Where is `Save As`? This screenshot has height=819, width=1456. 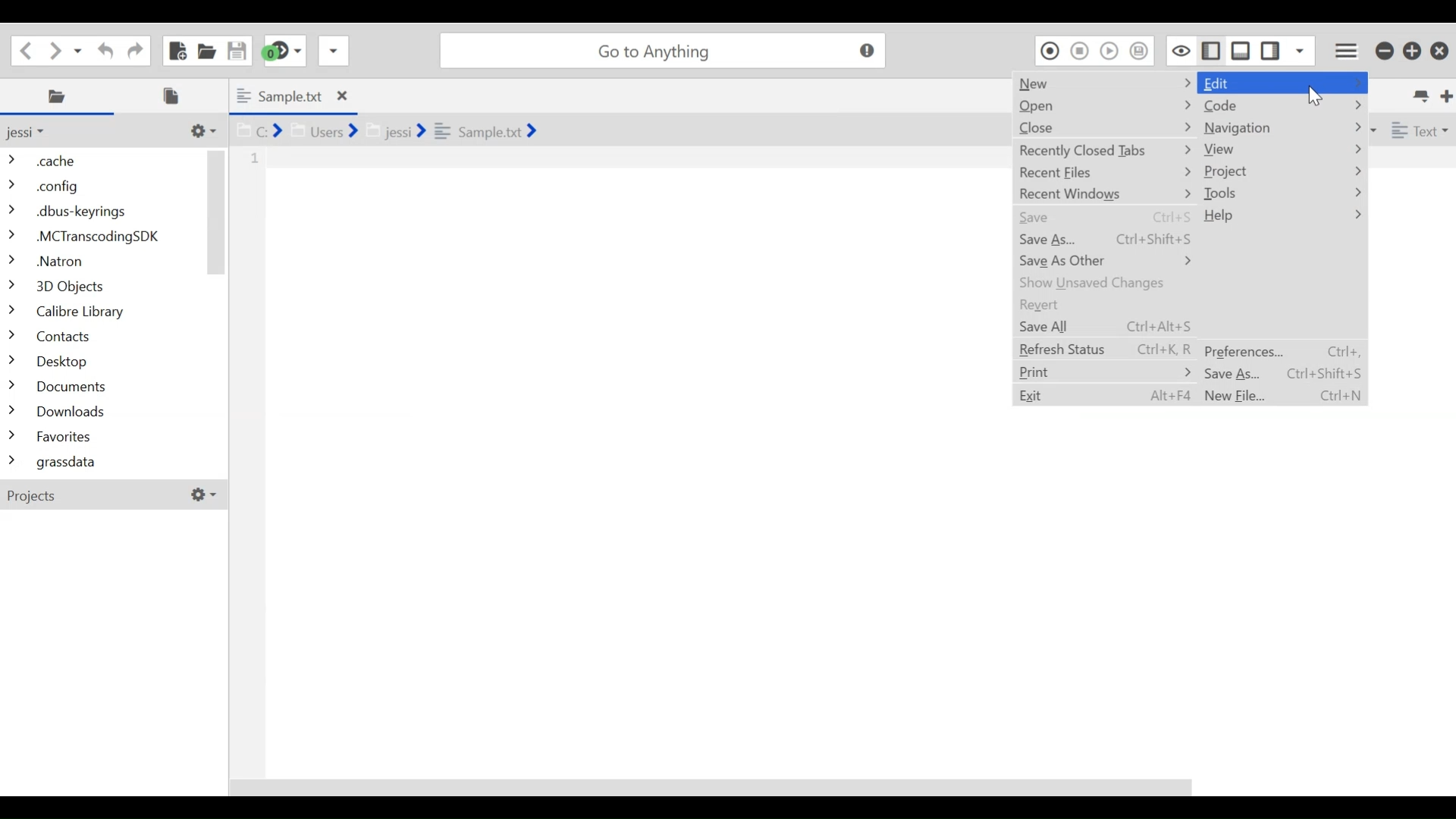
Save As is located at coordinates (1104, 240).